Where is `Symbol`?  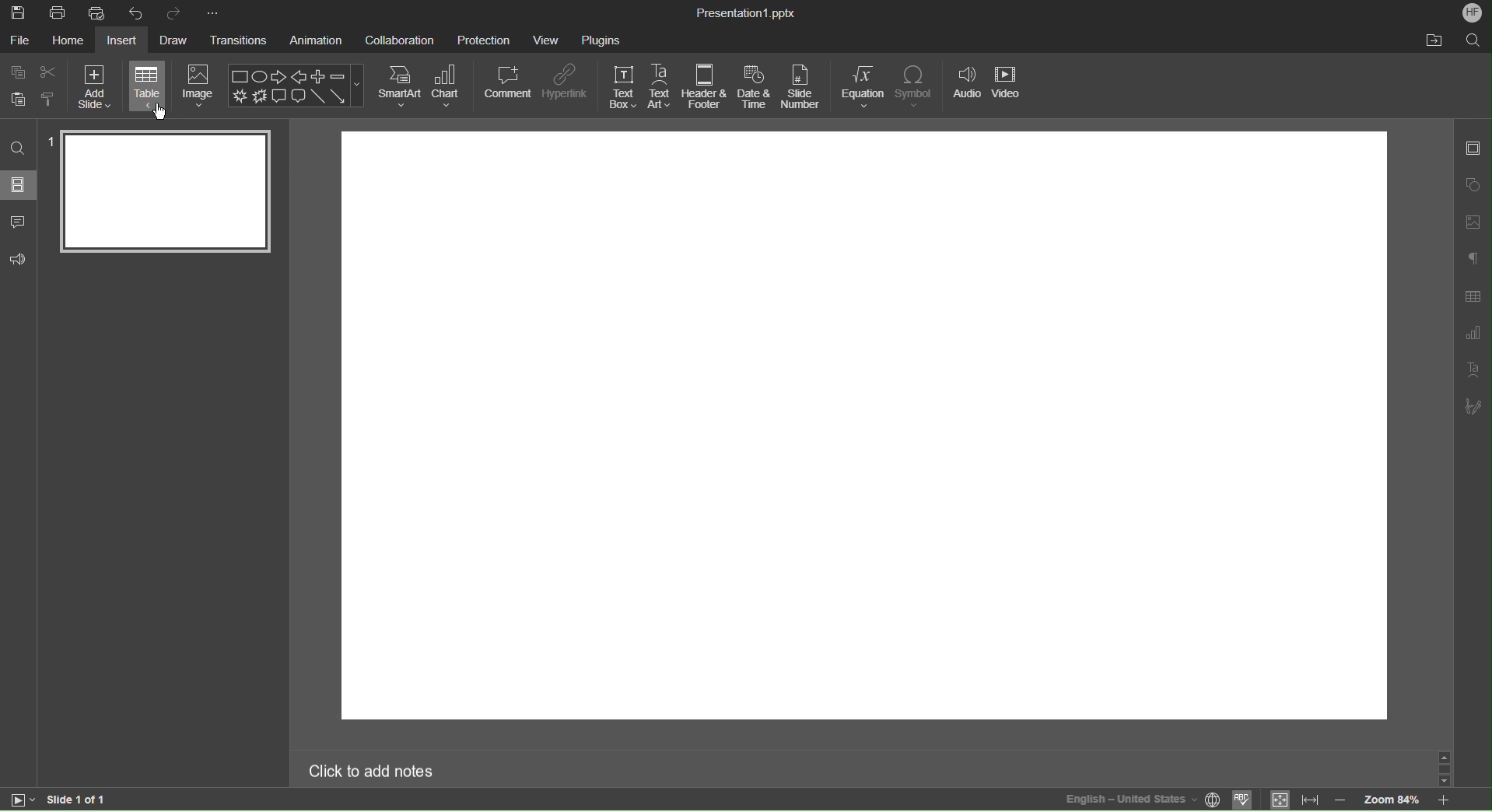 Symbol is located at coordinates (918, 86).